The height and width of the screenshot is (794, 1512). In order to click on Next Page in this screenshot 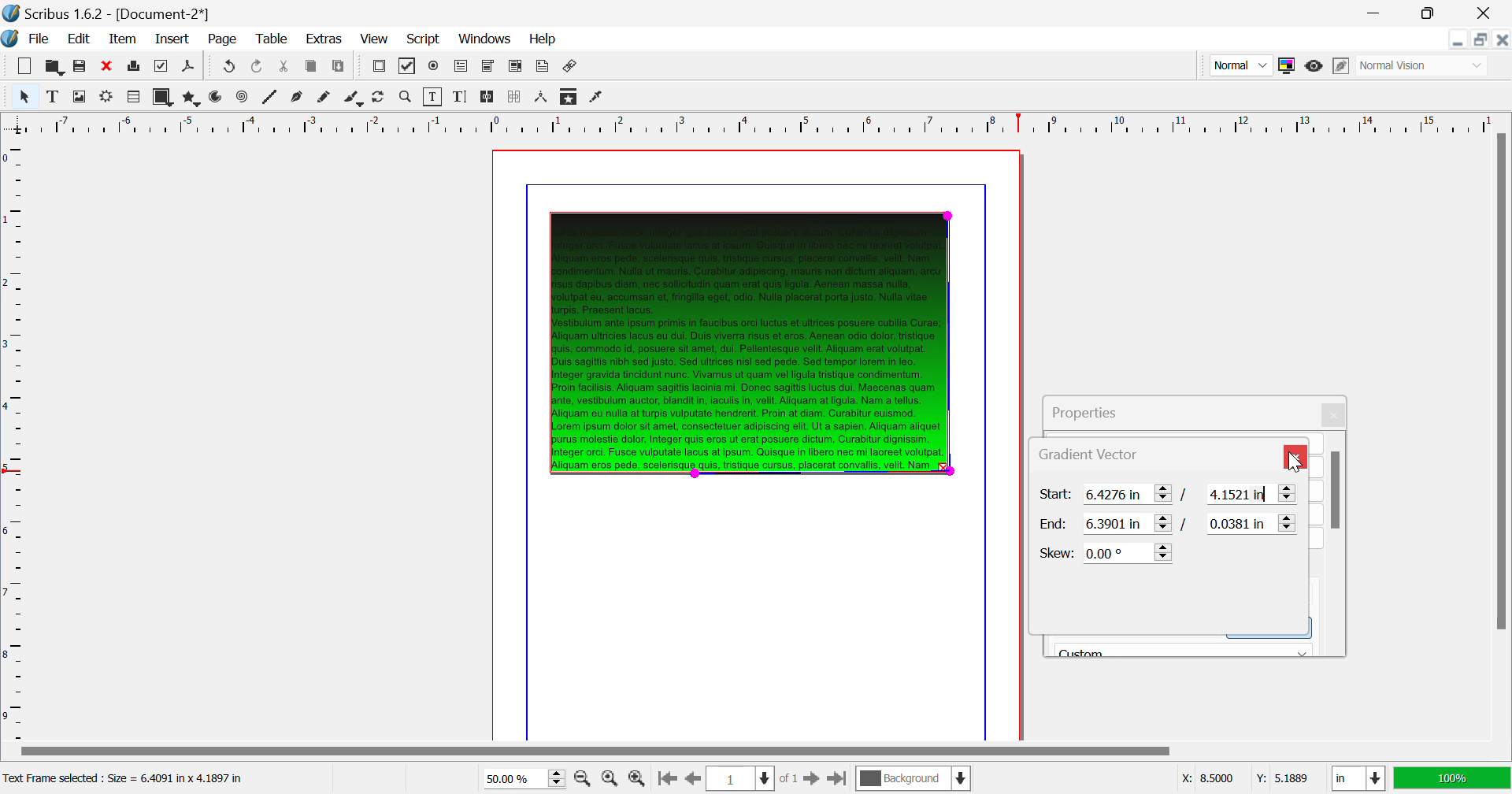, I will do `click(811, 777)`.